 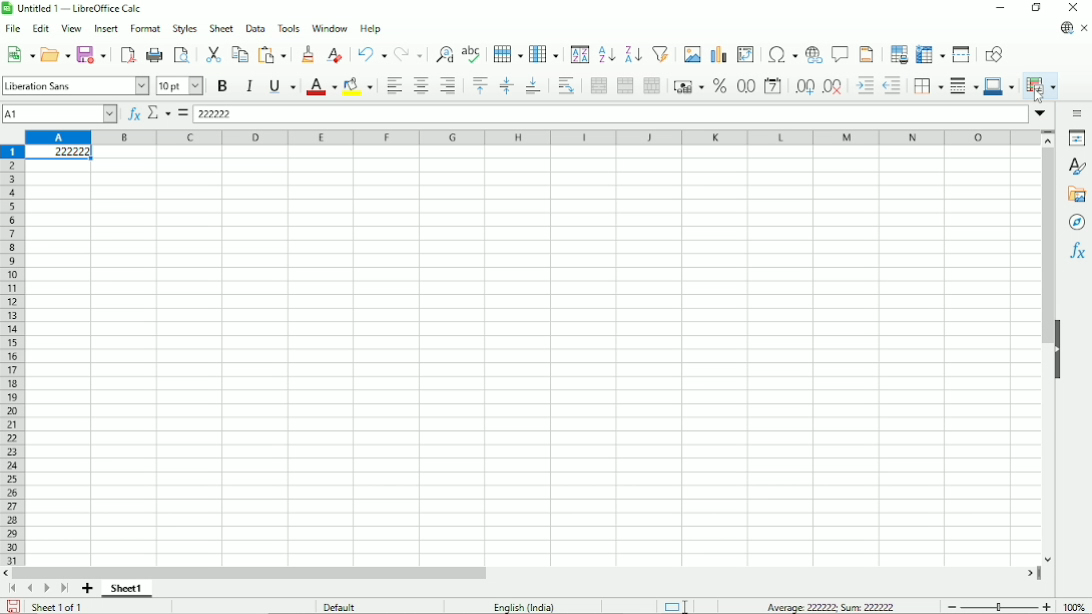 I want to click on Average: 222222; Sum: 222222, so click(x=828, y=606).